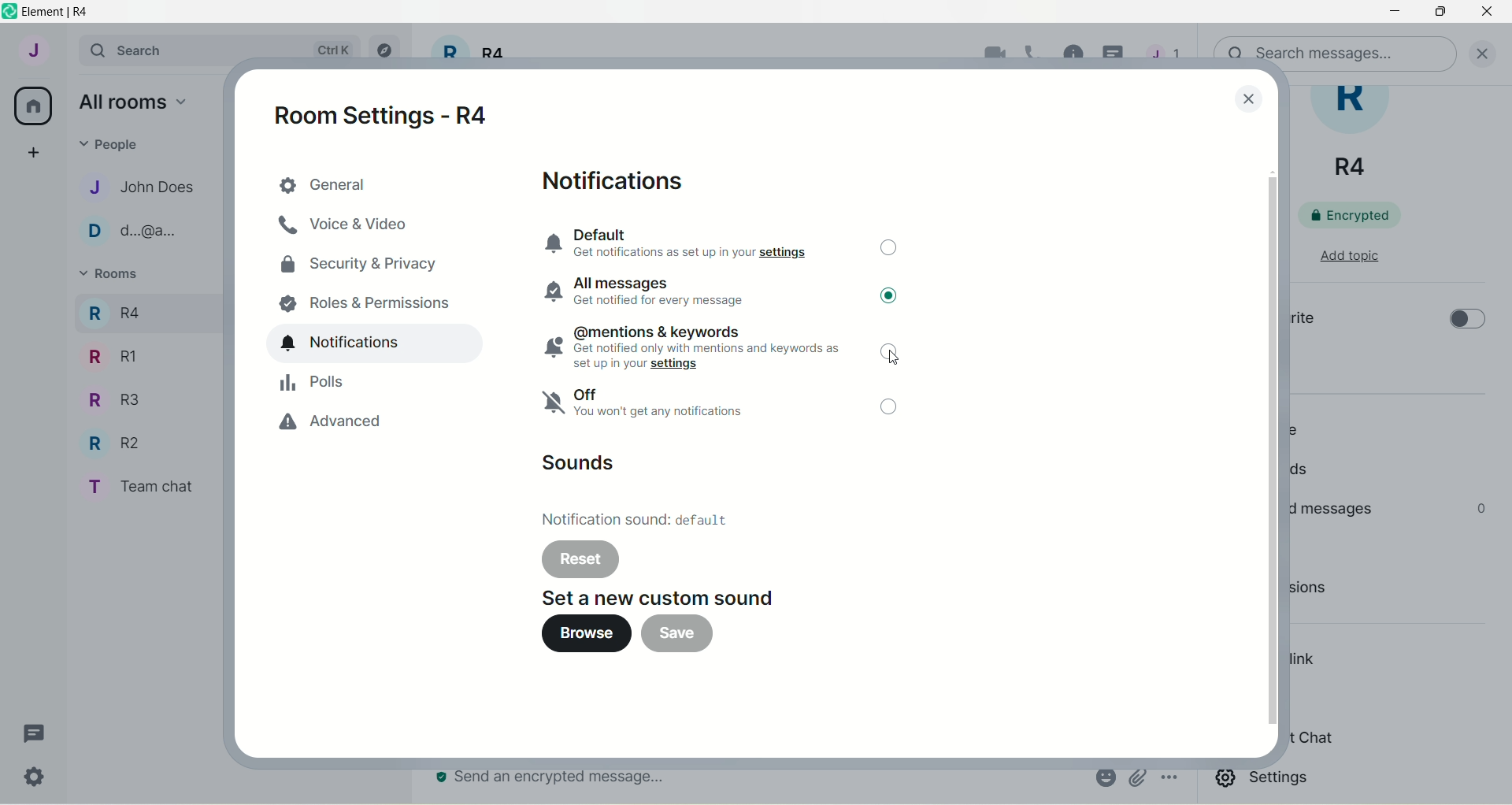 This screenshot has height=805, width=1512. Describe the element at coordinates (1246, 98) in the screenshot. I see `close` at that location.